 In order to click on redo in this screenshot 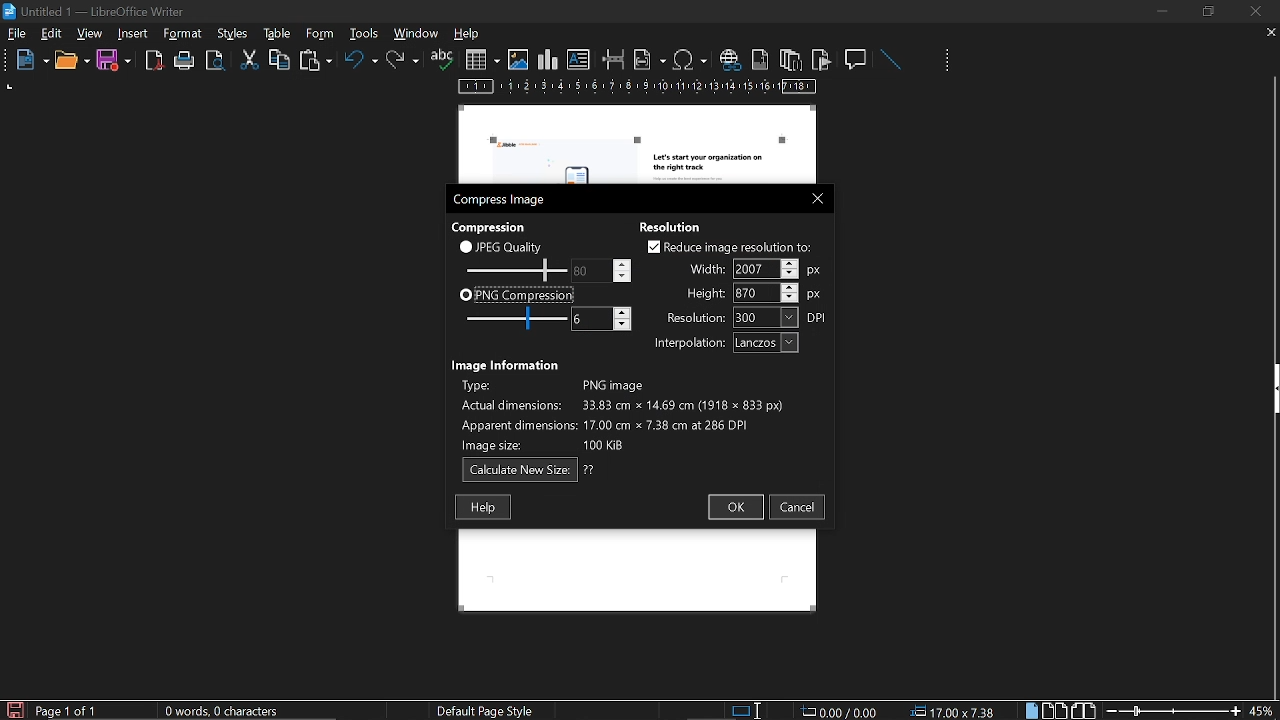, I will do `click(403, 60)`.